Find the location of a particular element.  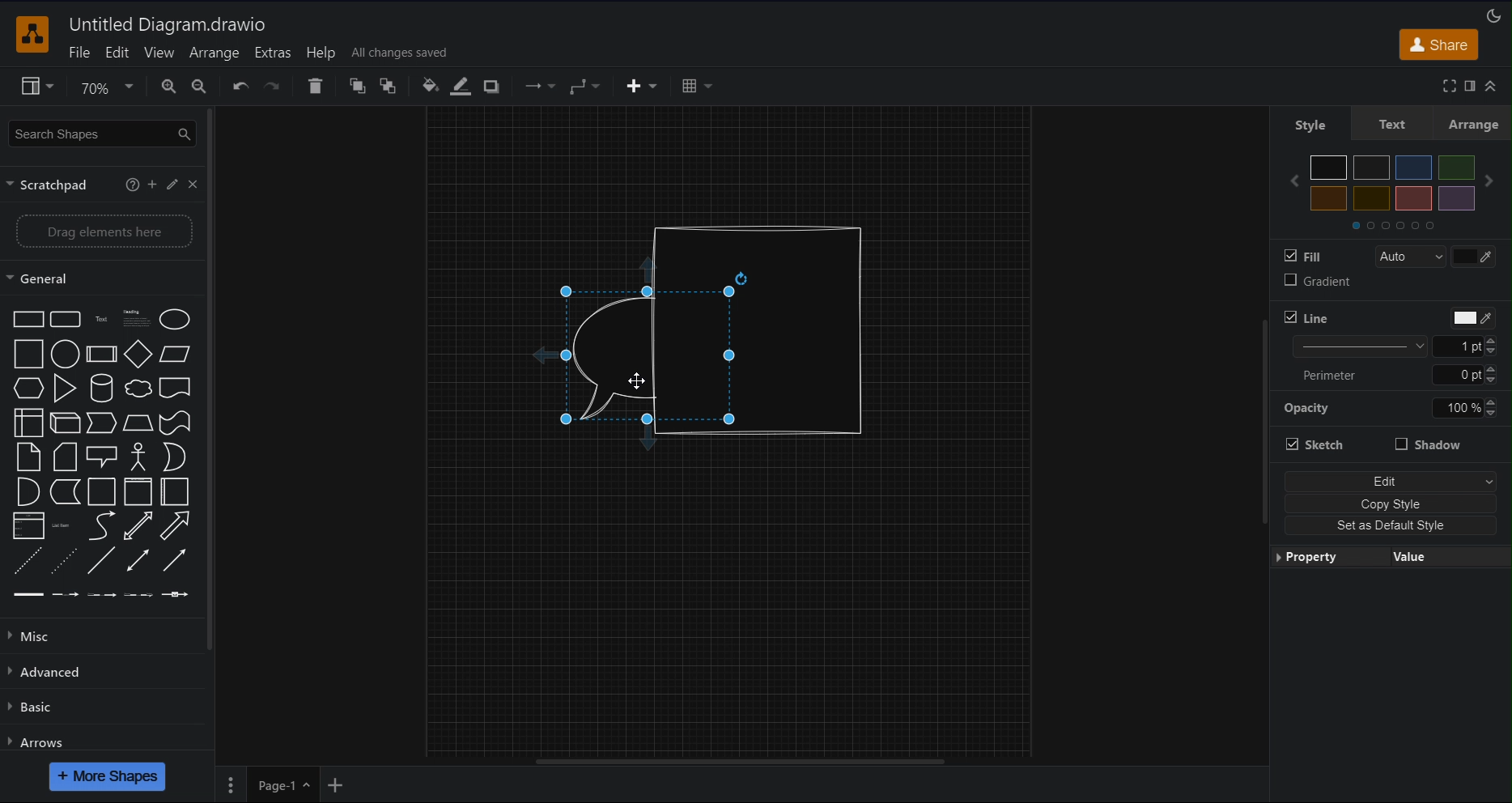

Manually input perimeter is located at coordinates (1457, 375).